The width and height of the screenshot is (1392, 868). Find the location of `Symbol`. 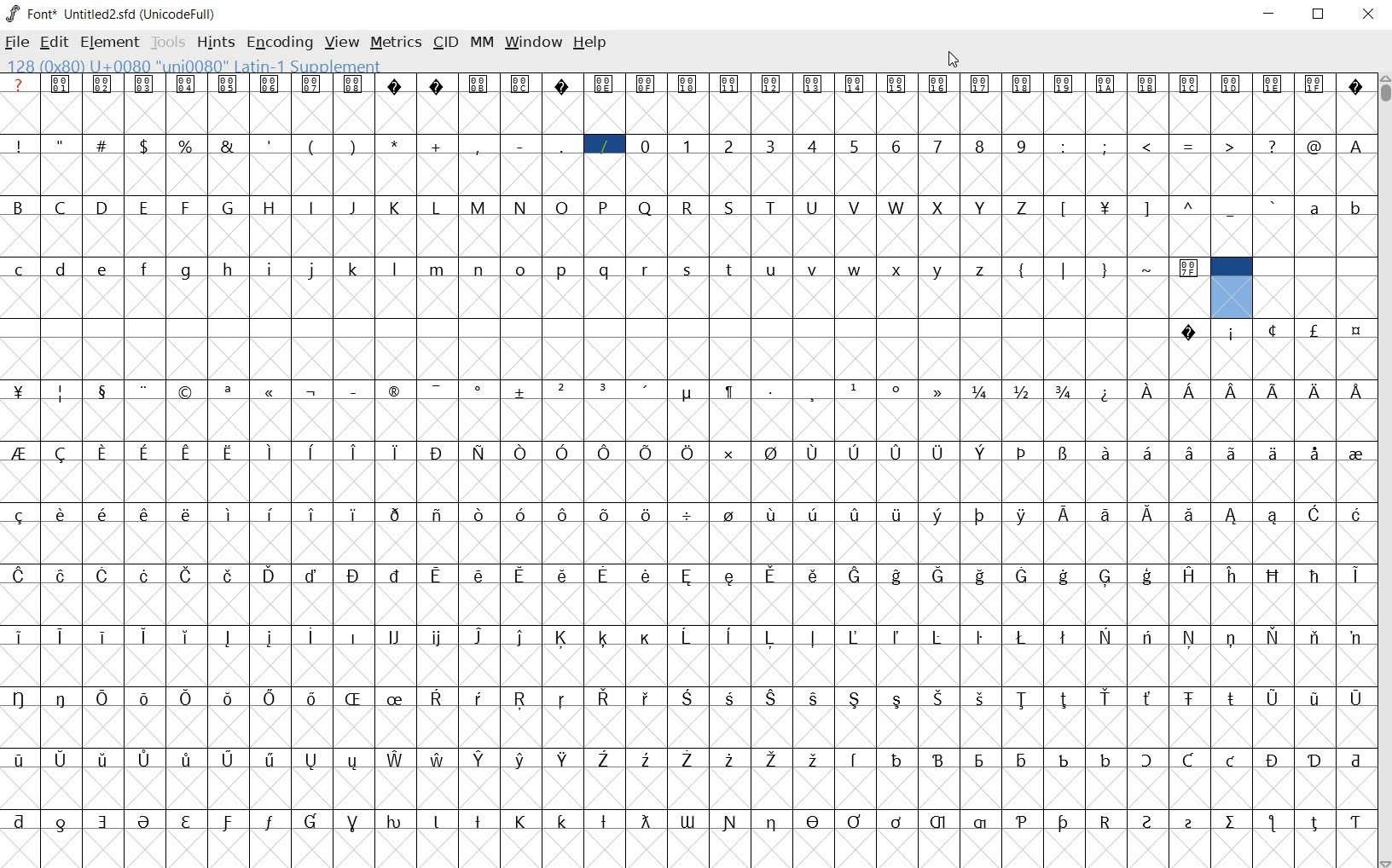

Symbol is located at coordinates (730, 698).